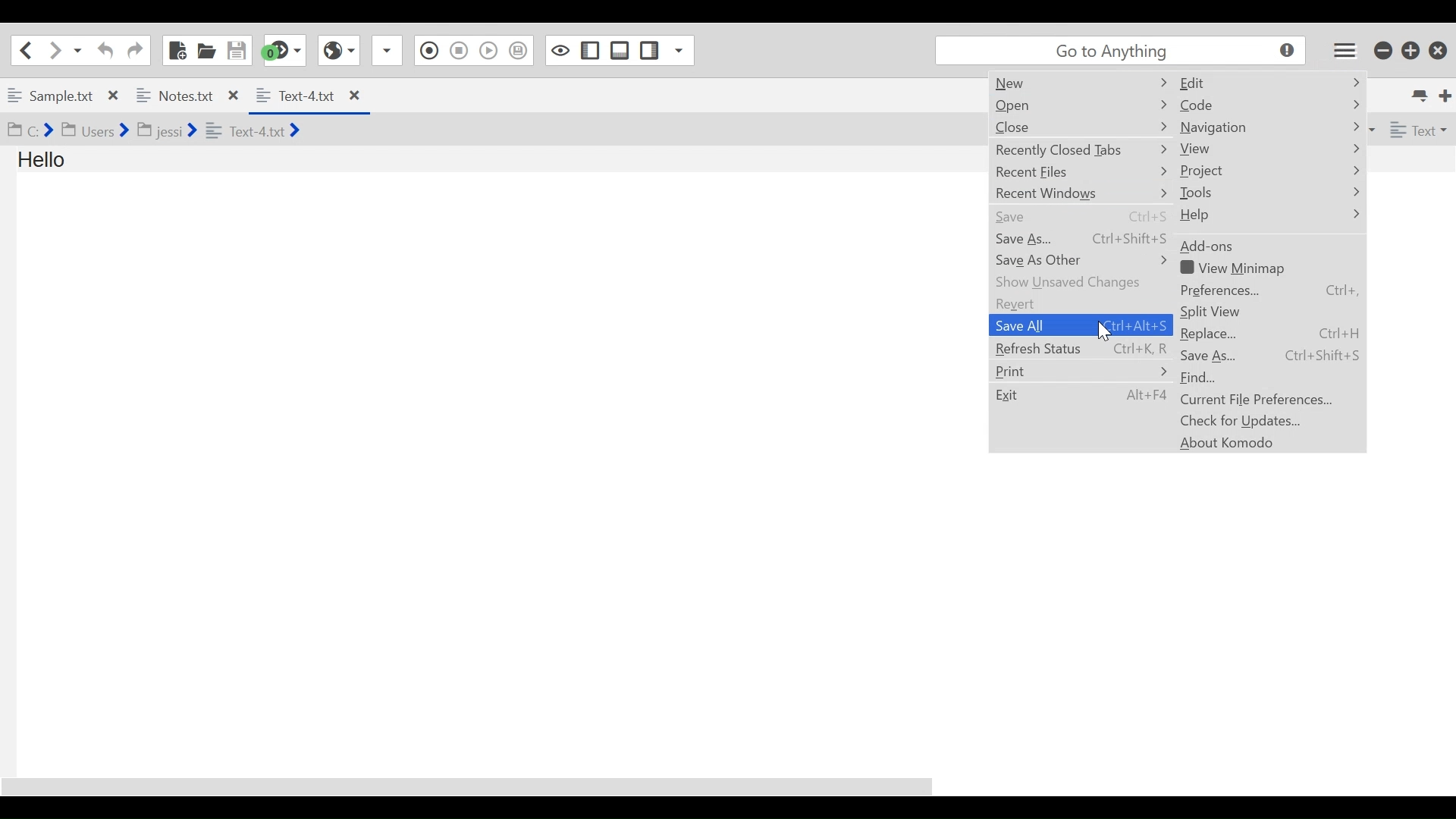 The width and height of the screenshot is (1456, 819). What do you see at coordinates (517, 52) in the screenshot?
I see `Save to Toolbox as Superscript` at bounding box center [517, 52].